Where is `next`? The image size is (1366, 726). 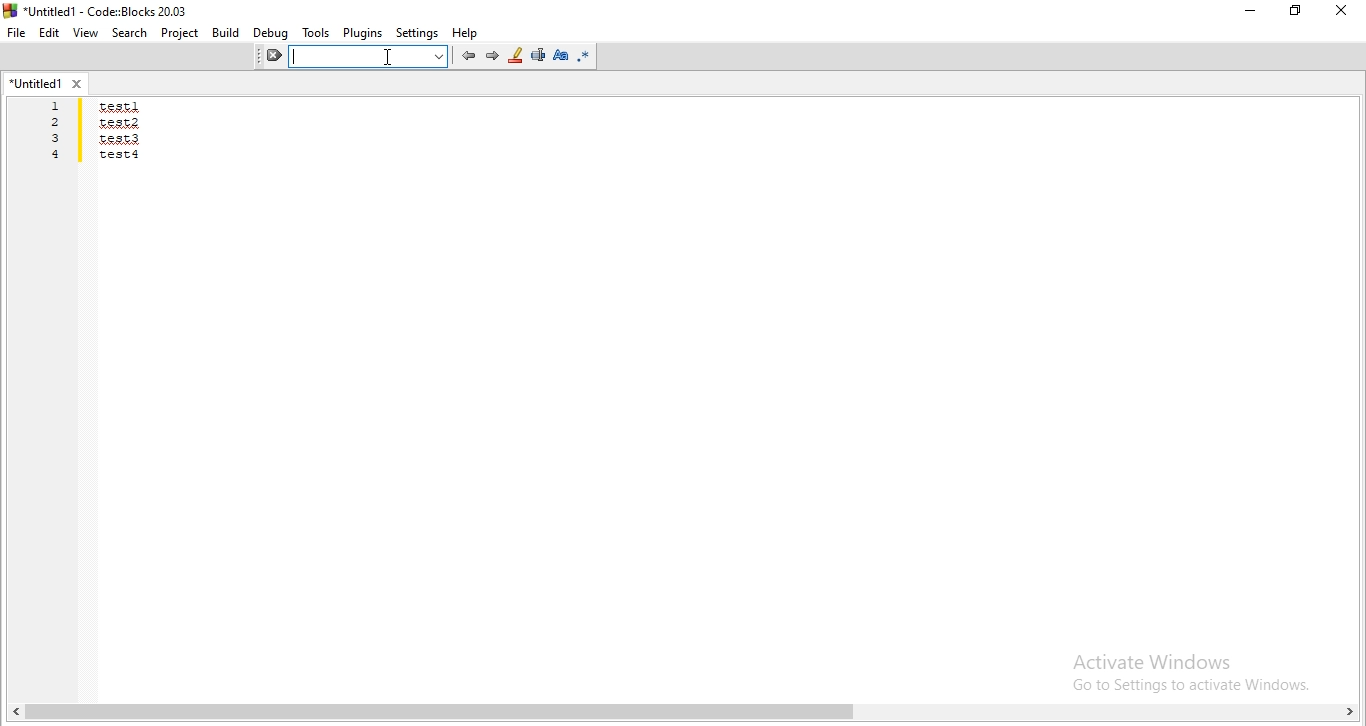 next is located at coordinates (492, 55).